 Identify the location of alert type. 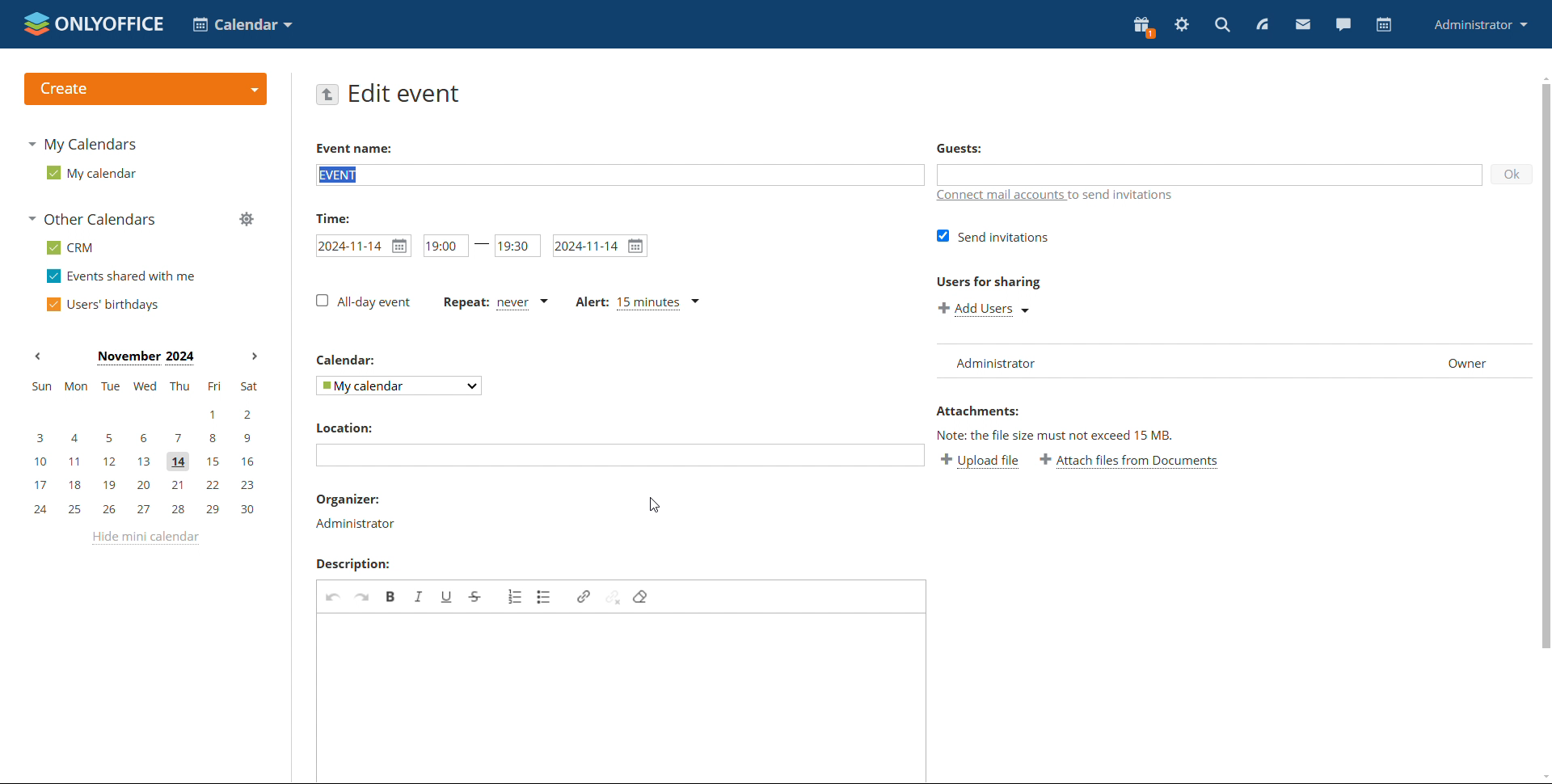
(638, 304).